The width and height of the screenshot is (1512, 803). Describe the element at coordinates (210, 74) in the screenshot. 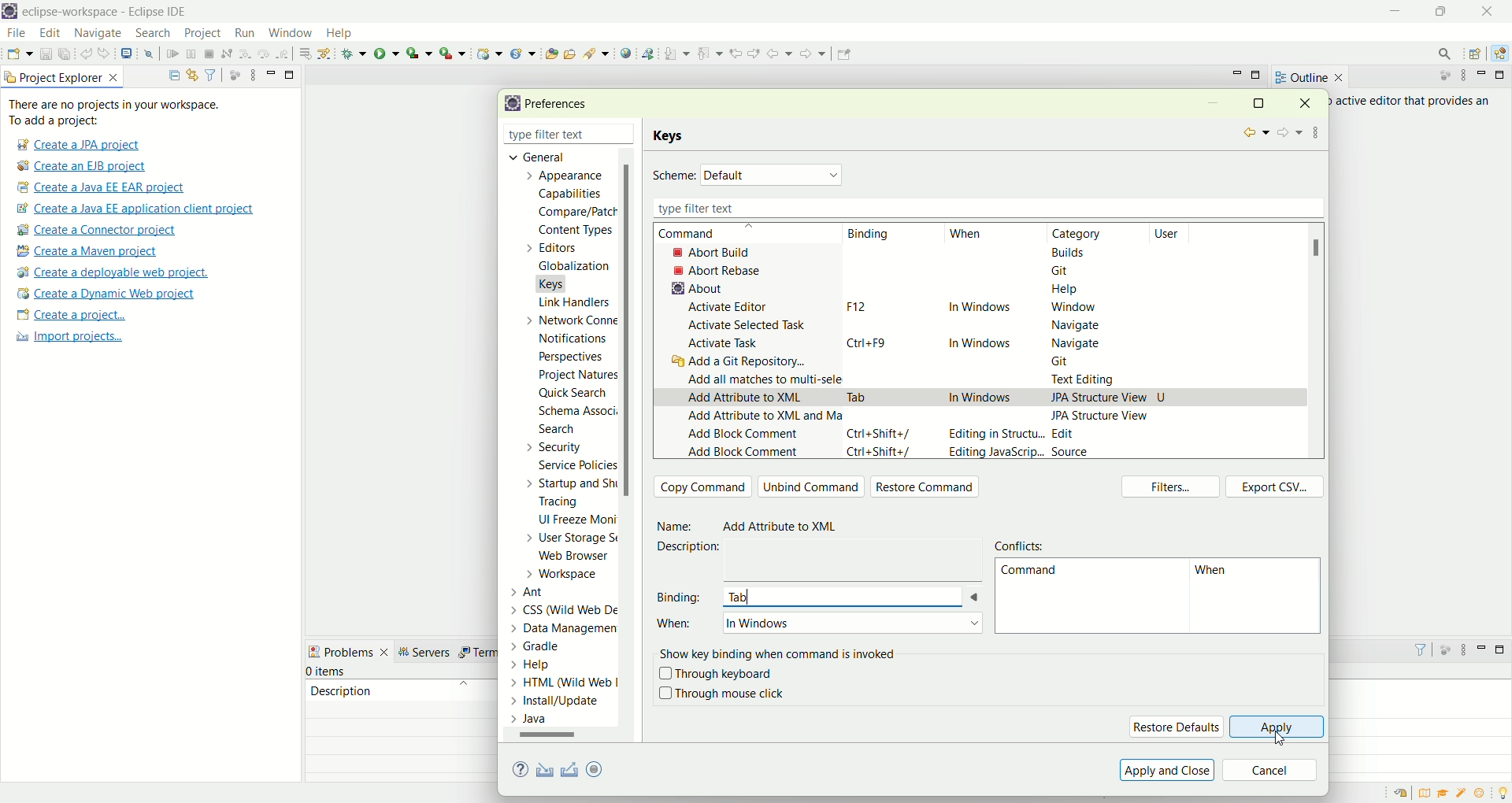

I see `filter` at that location.